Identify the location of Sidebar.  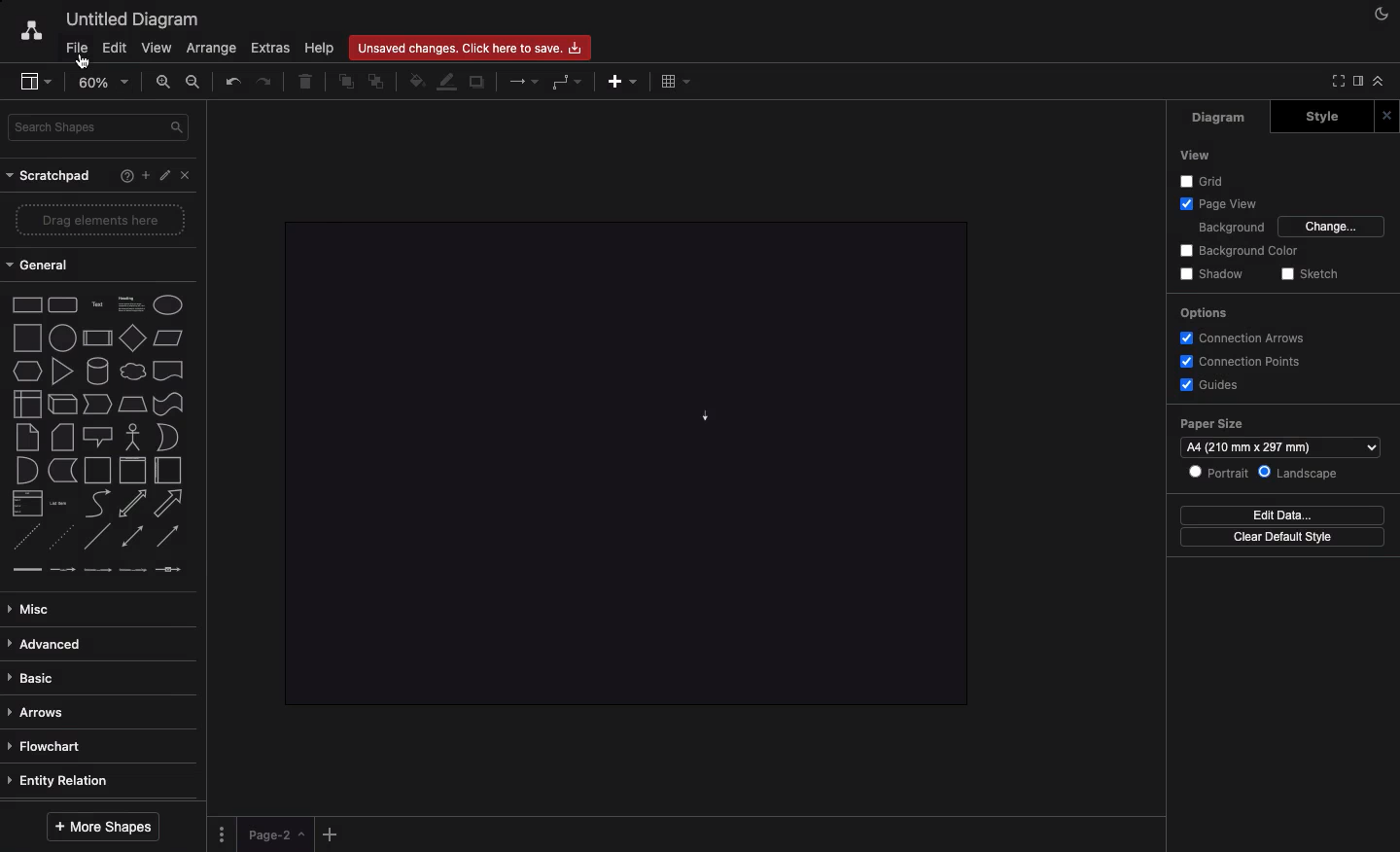
(28, 79).